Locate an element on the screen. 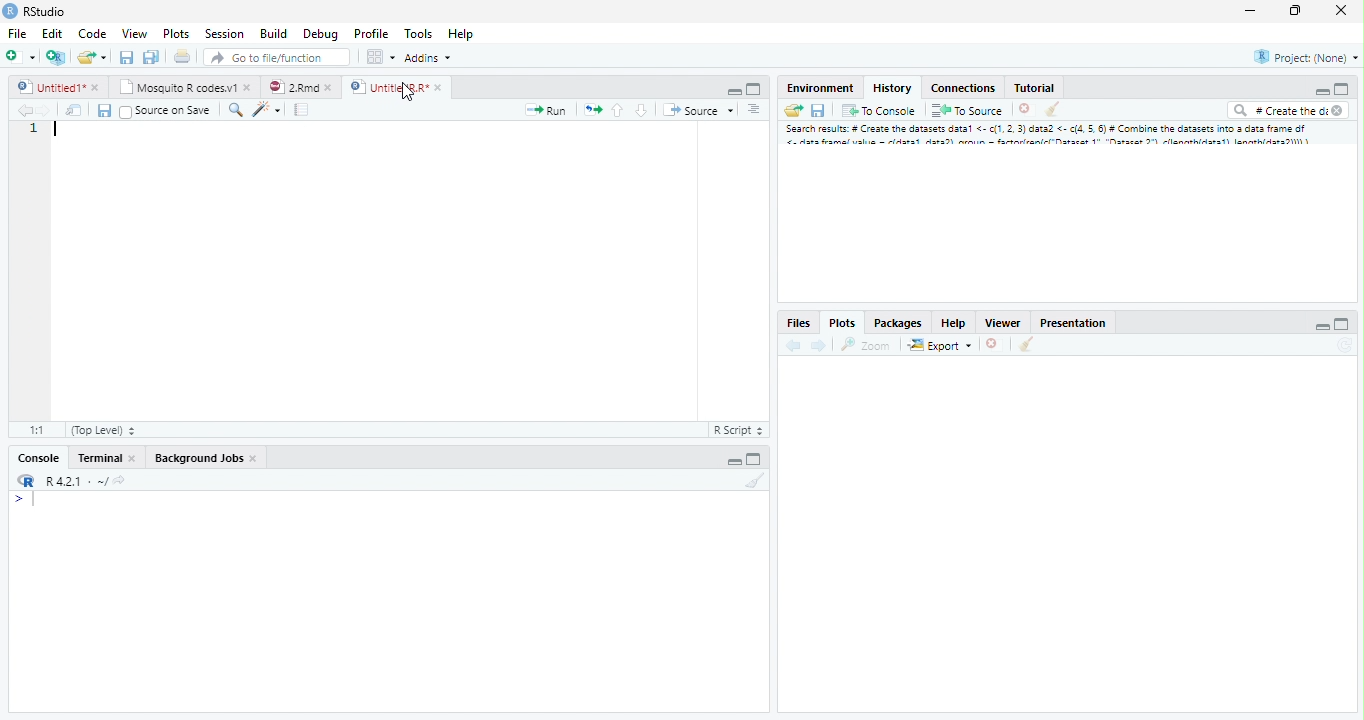 This screenshot has height=720, width=1364. UntitledR.R is located at coordinates (396, 86).